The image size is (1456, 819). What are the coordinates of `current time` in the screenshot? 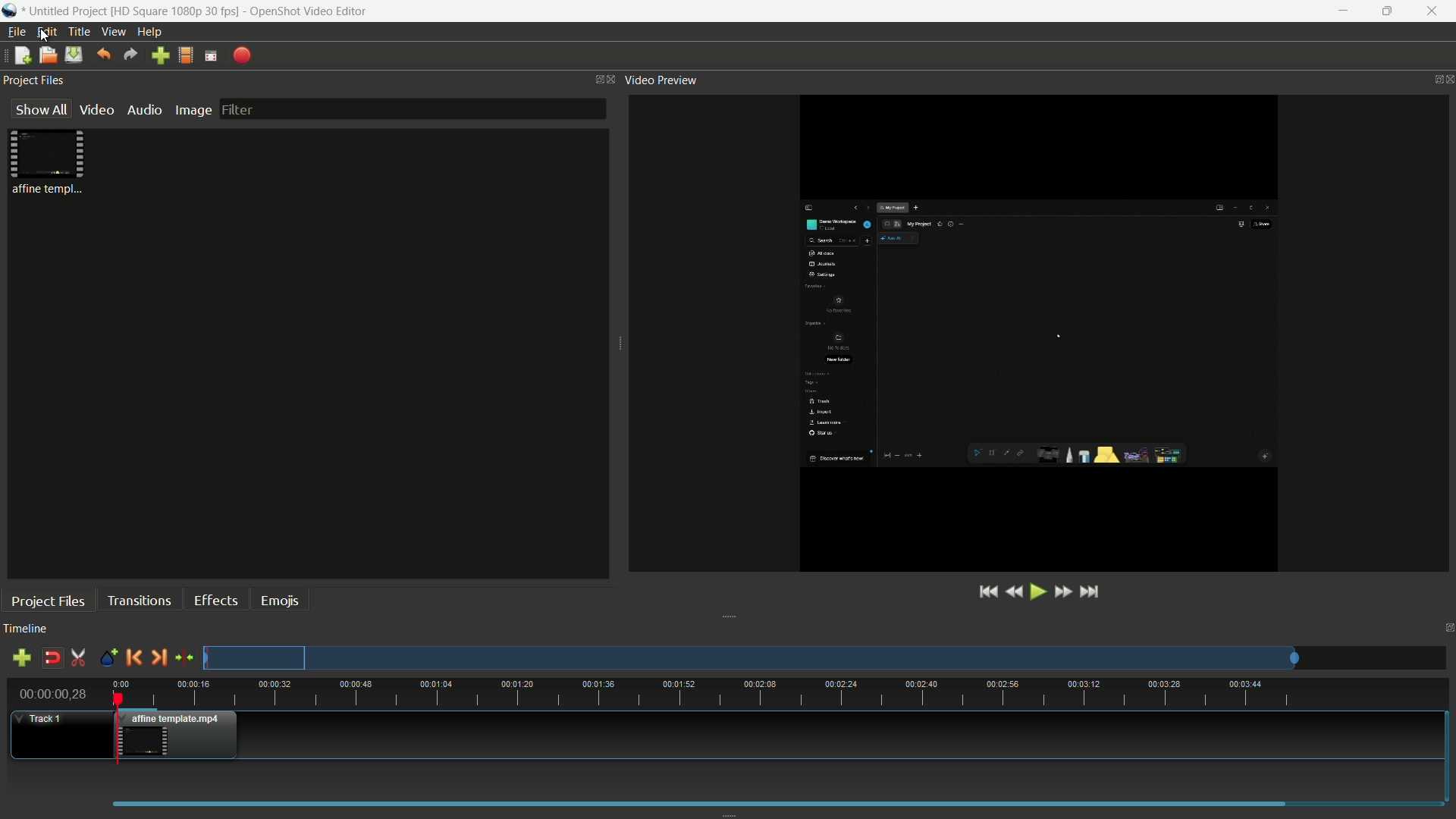 It's located at (55, 693).